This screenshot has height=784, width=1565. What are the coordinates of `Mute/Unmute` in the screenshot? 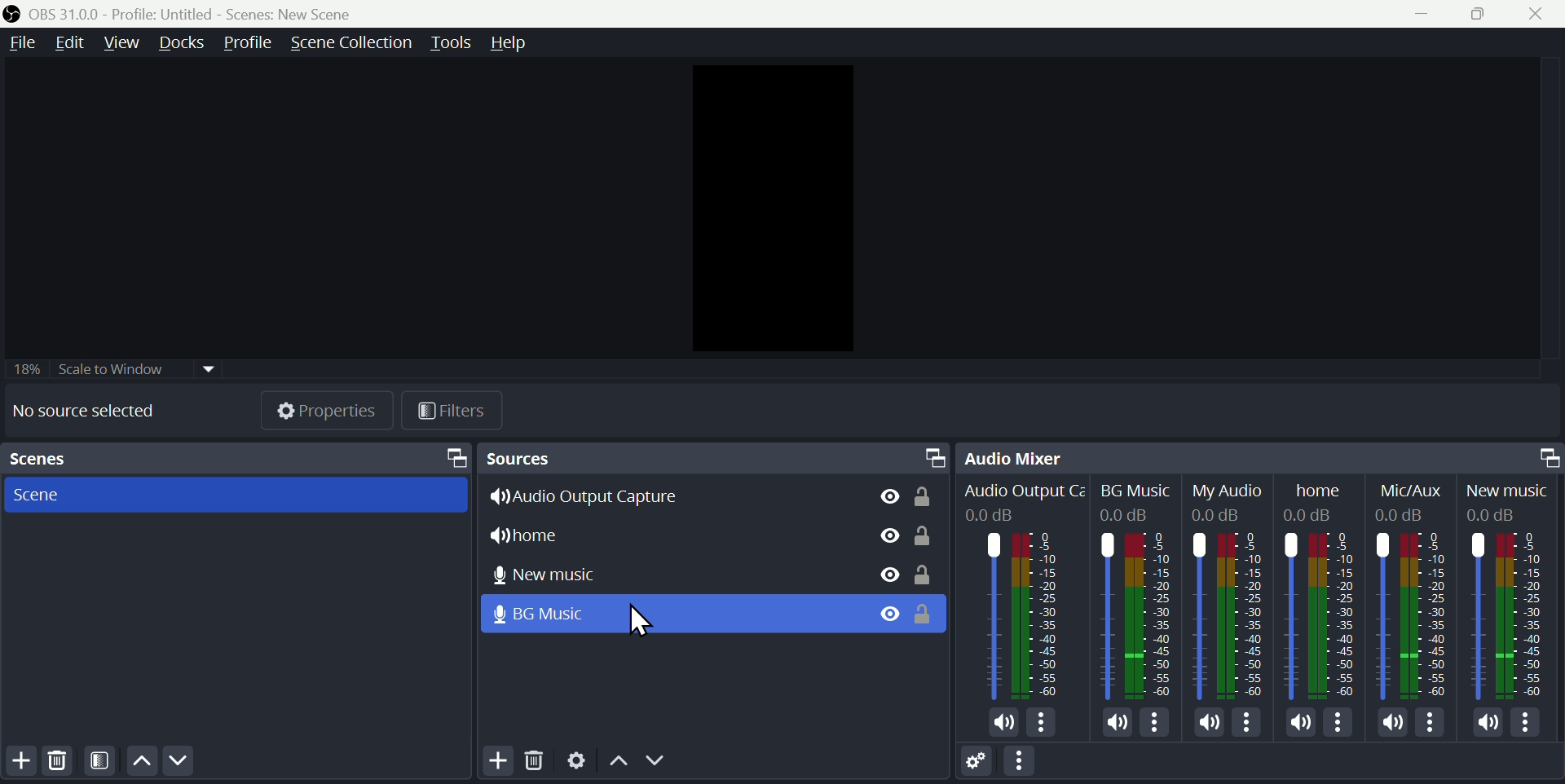 It's located at (1294, 722).